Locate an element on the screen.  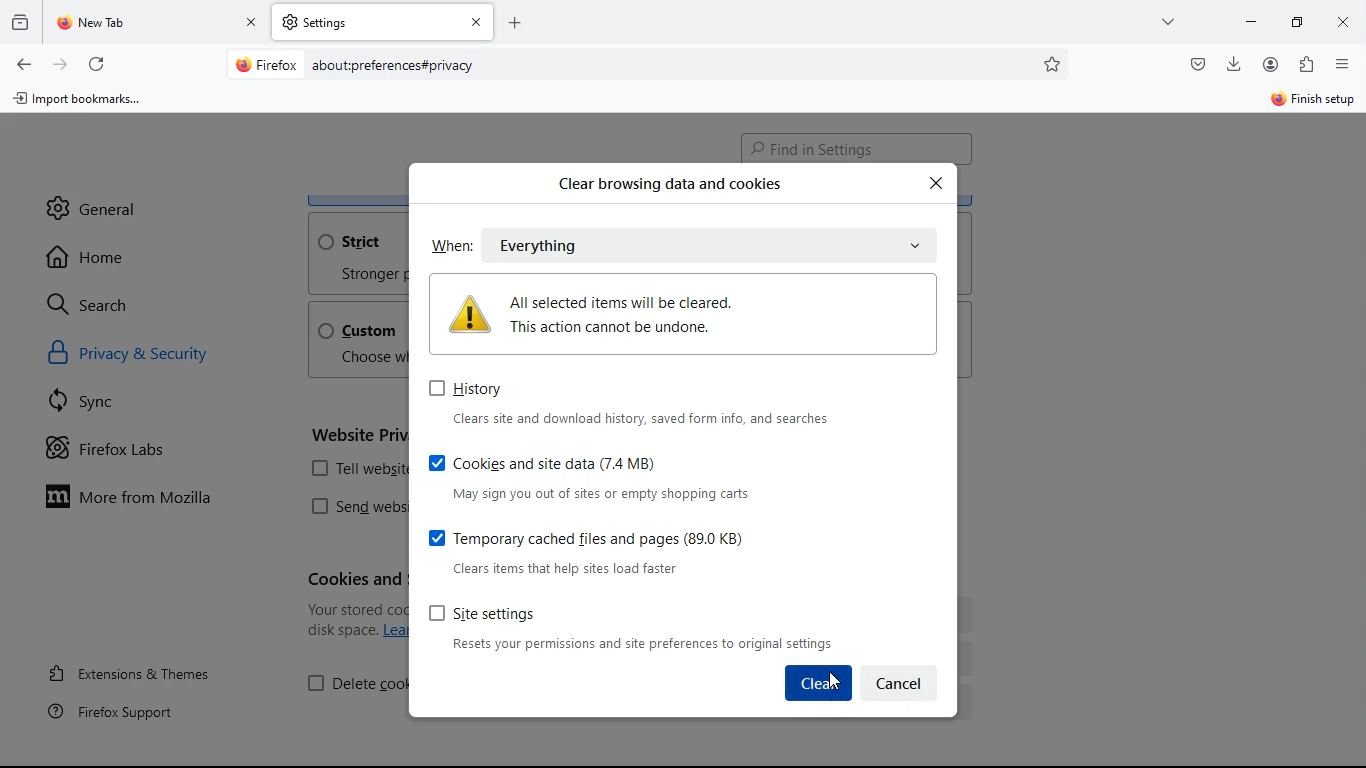
extensions & themes is located at coordinates (147, 670).